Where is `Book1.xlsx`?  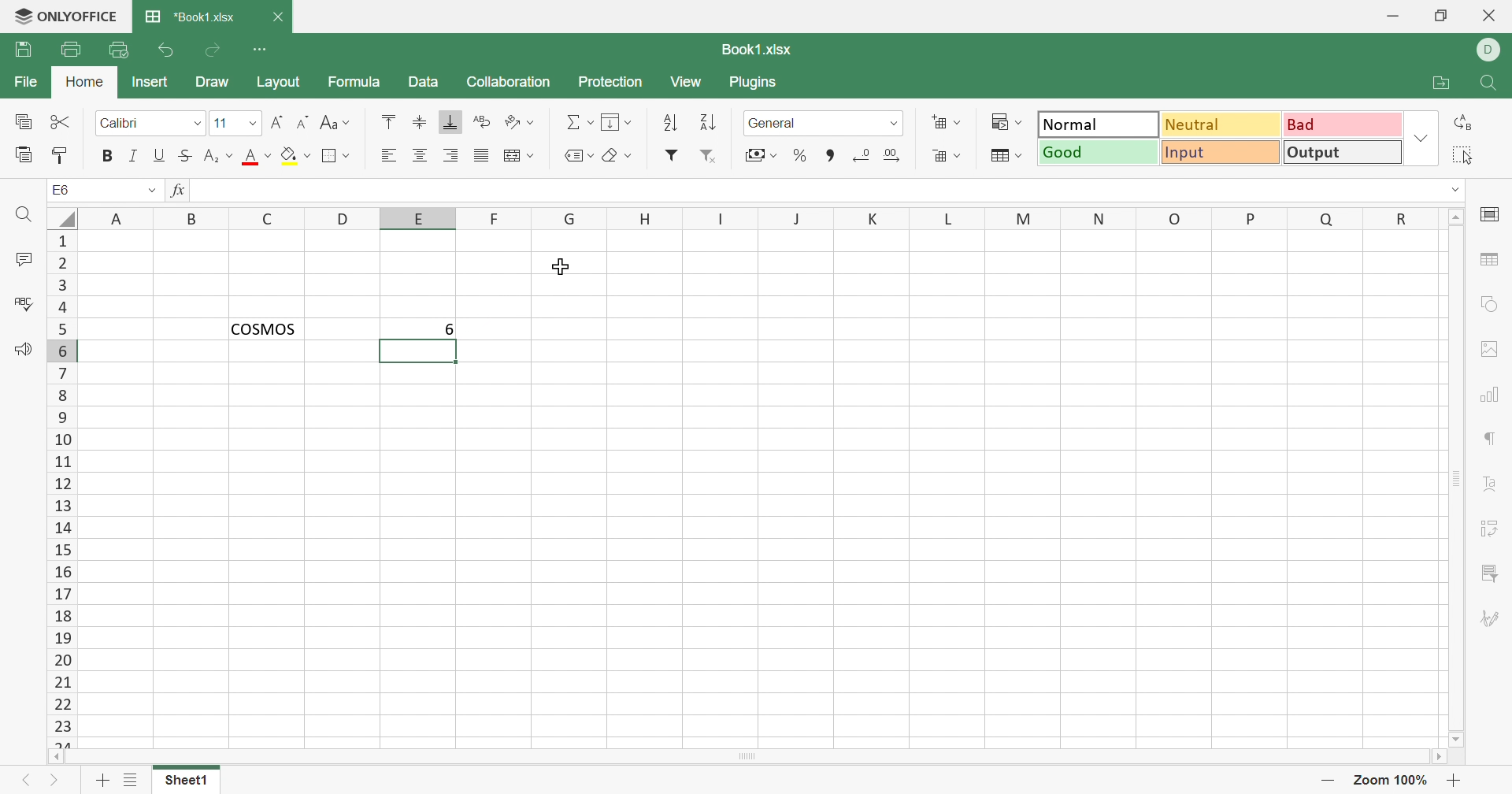
Book1.xlsx is located at coordinates (759, 49).